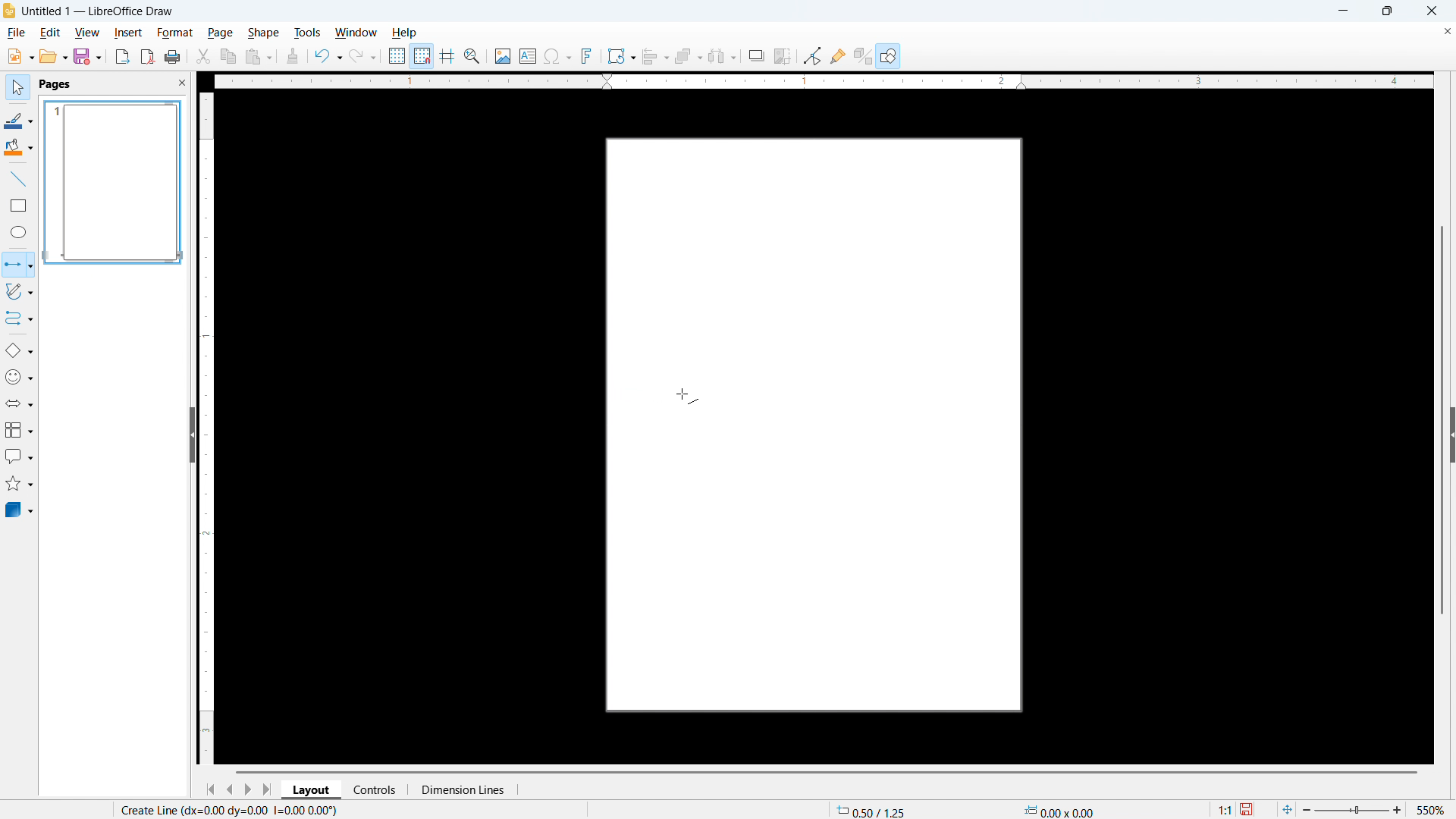  I want to click on Use grid , so click(397, 56).